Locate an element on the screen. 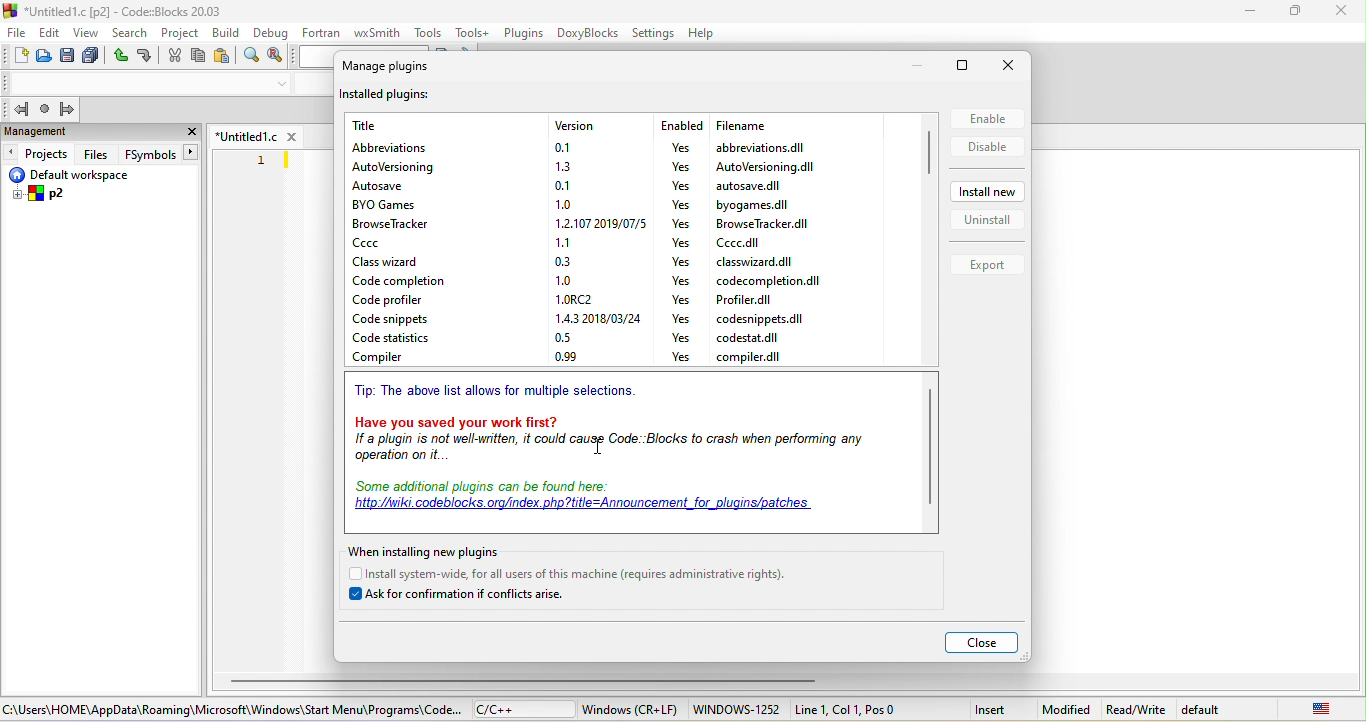 This screenshot has height=722, width=1366. new is located at coordinates (17, 55).